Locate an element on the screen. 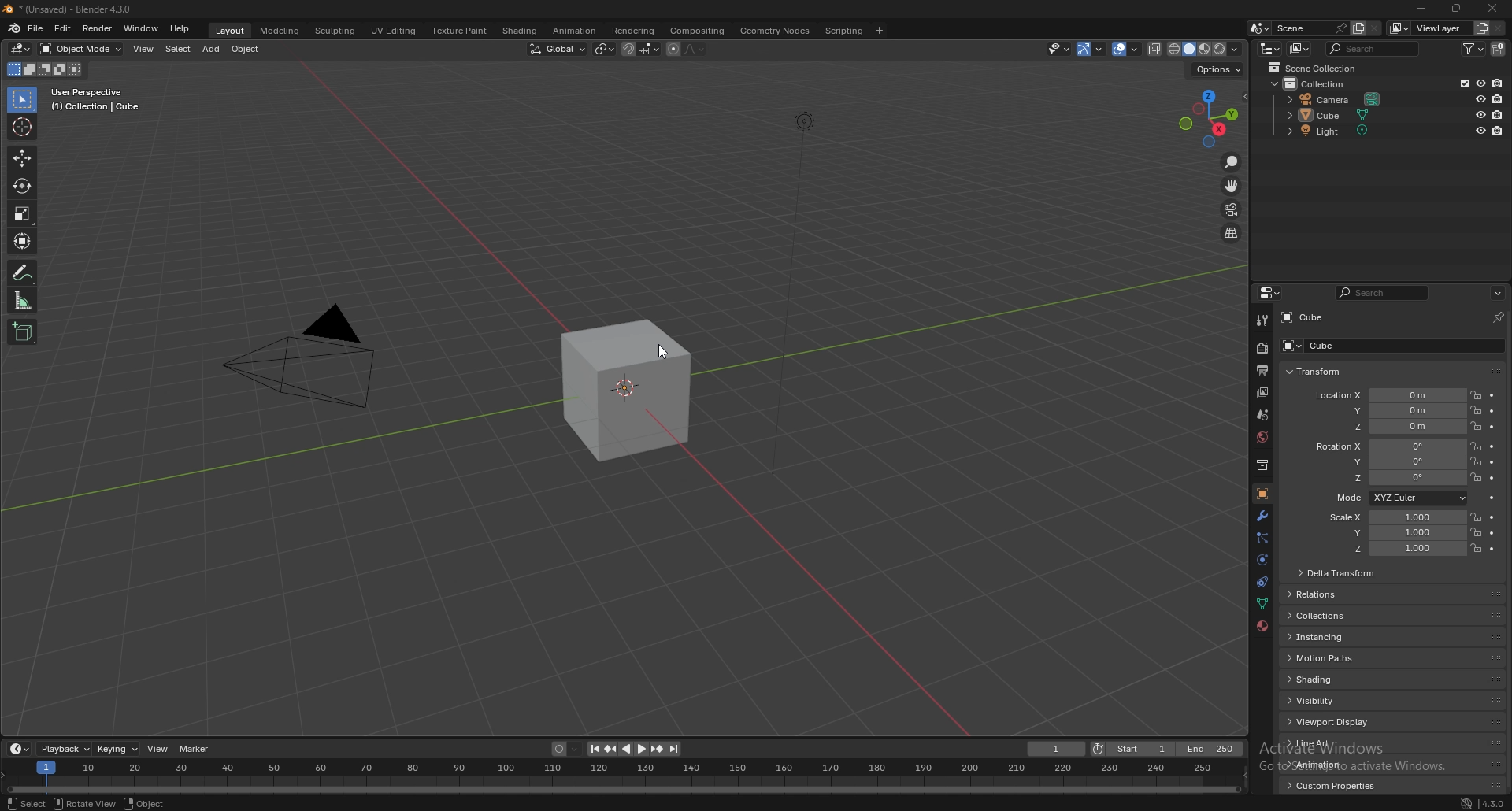  new collection is located at coordinates (1499, 49).